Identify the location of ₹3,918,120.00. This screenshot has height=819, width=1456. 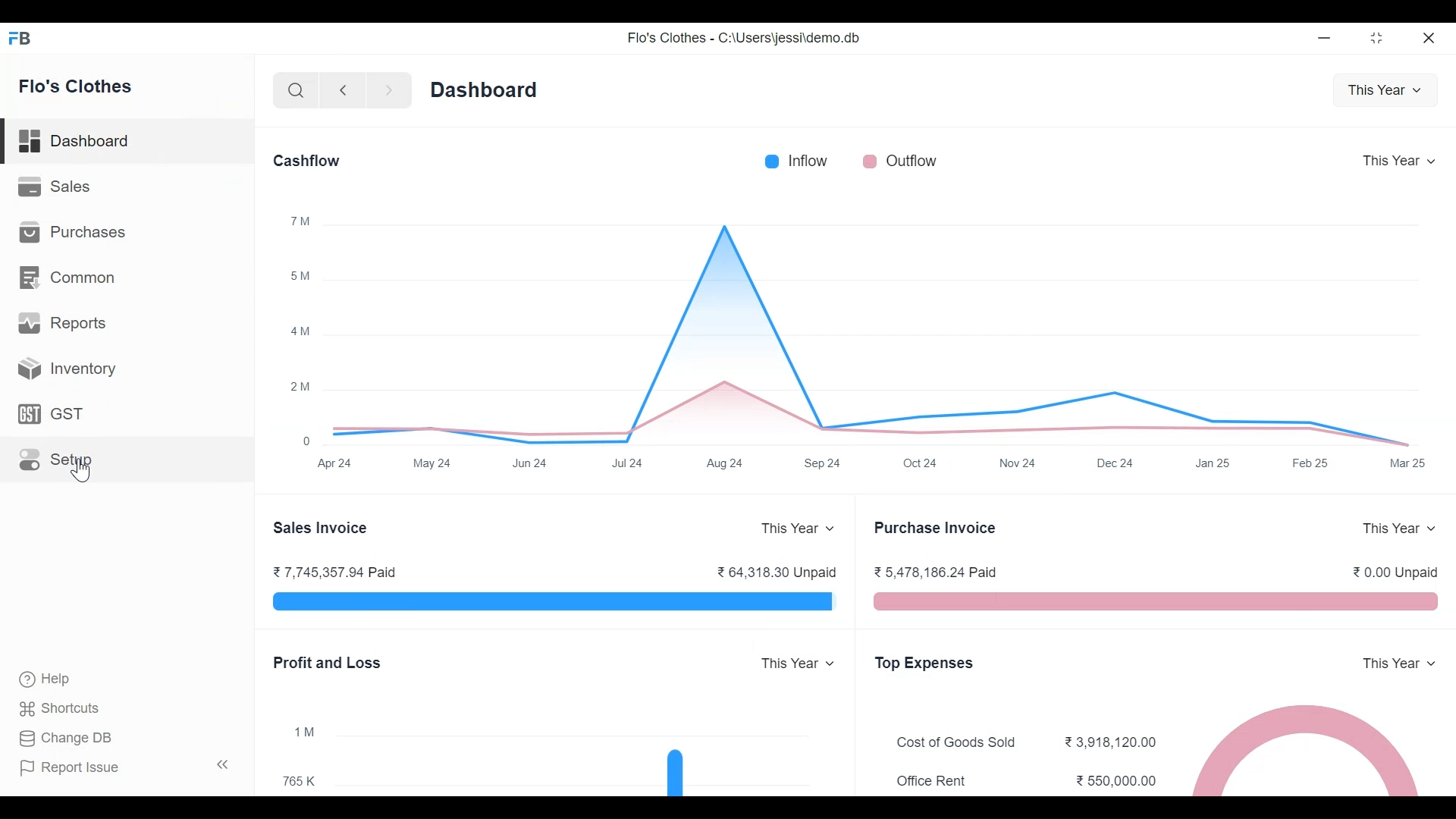
(1109, 742).